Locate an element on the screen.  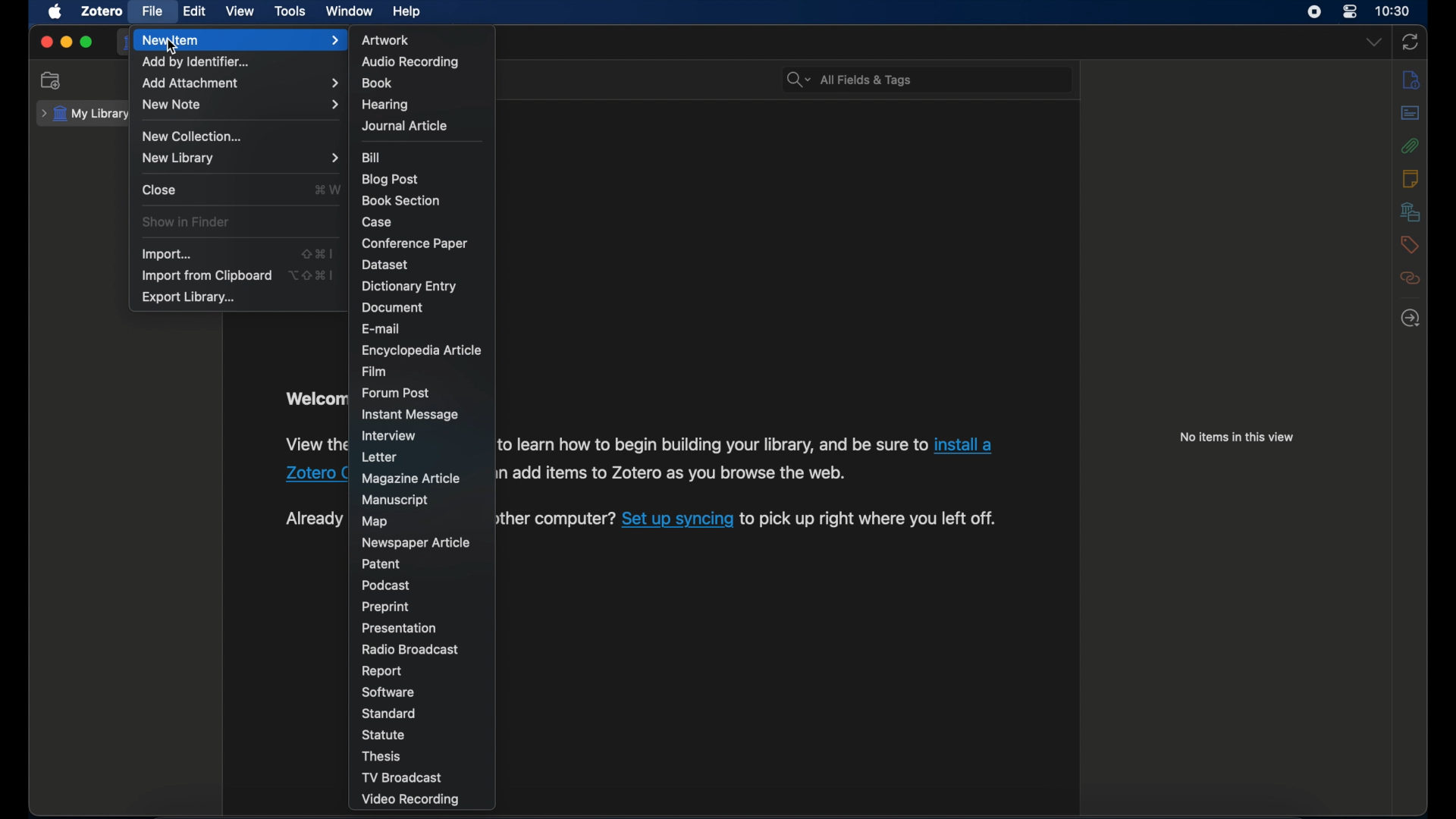
new note is located at coordinates (241, 105).